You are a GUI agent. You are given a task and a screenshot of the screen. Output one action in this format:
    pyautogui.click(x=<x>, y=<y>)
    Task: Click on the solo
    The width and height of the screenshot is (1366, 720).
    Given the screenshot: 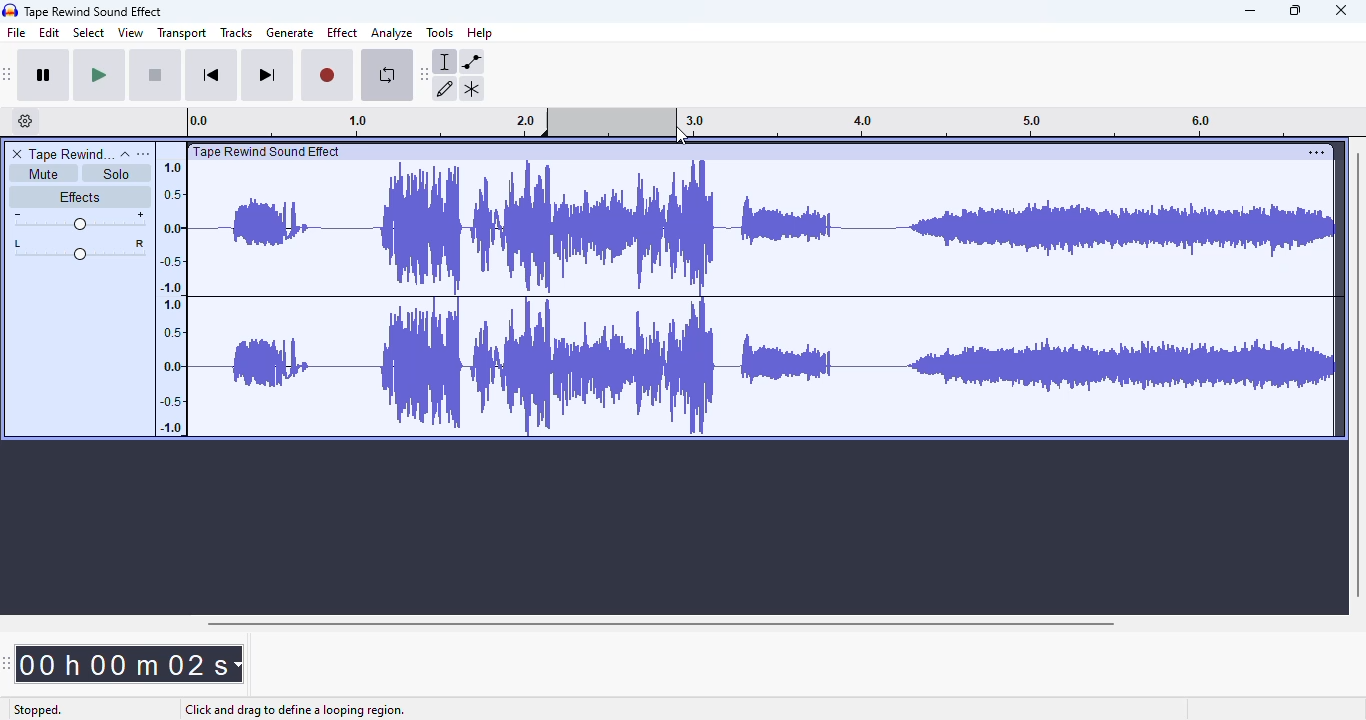 What is the action you would take?
    pyautogui.click(x=118, y=174)
    